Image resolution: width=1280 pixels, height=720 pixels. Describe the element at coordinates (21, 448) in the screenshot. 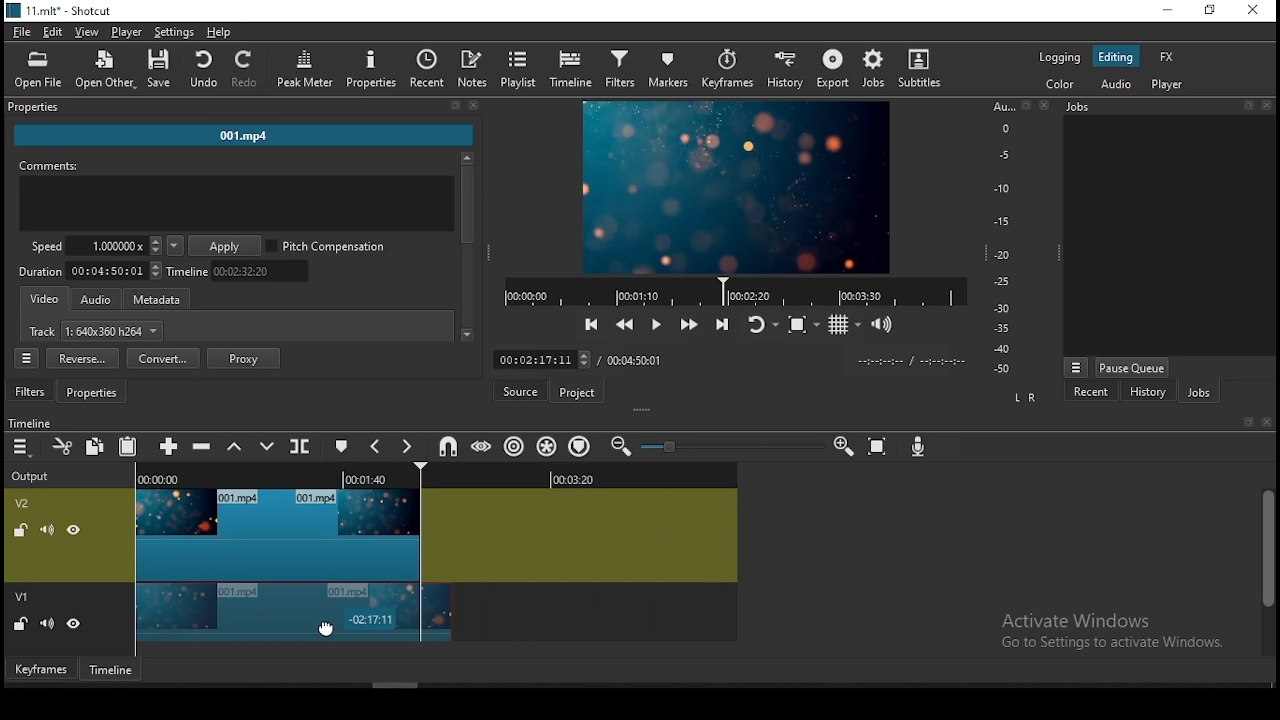

I see `timeline menu` at that location.